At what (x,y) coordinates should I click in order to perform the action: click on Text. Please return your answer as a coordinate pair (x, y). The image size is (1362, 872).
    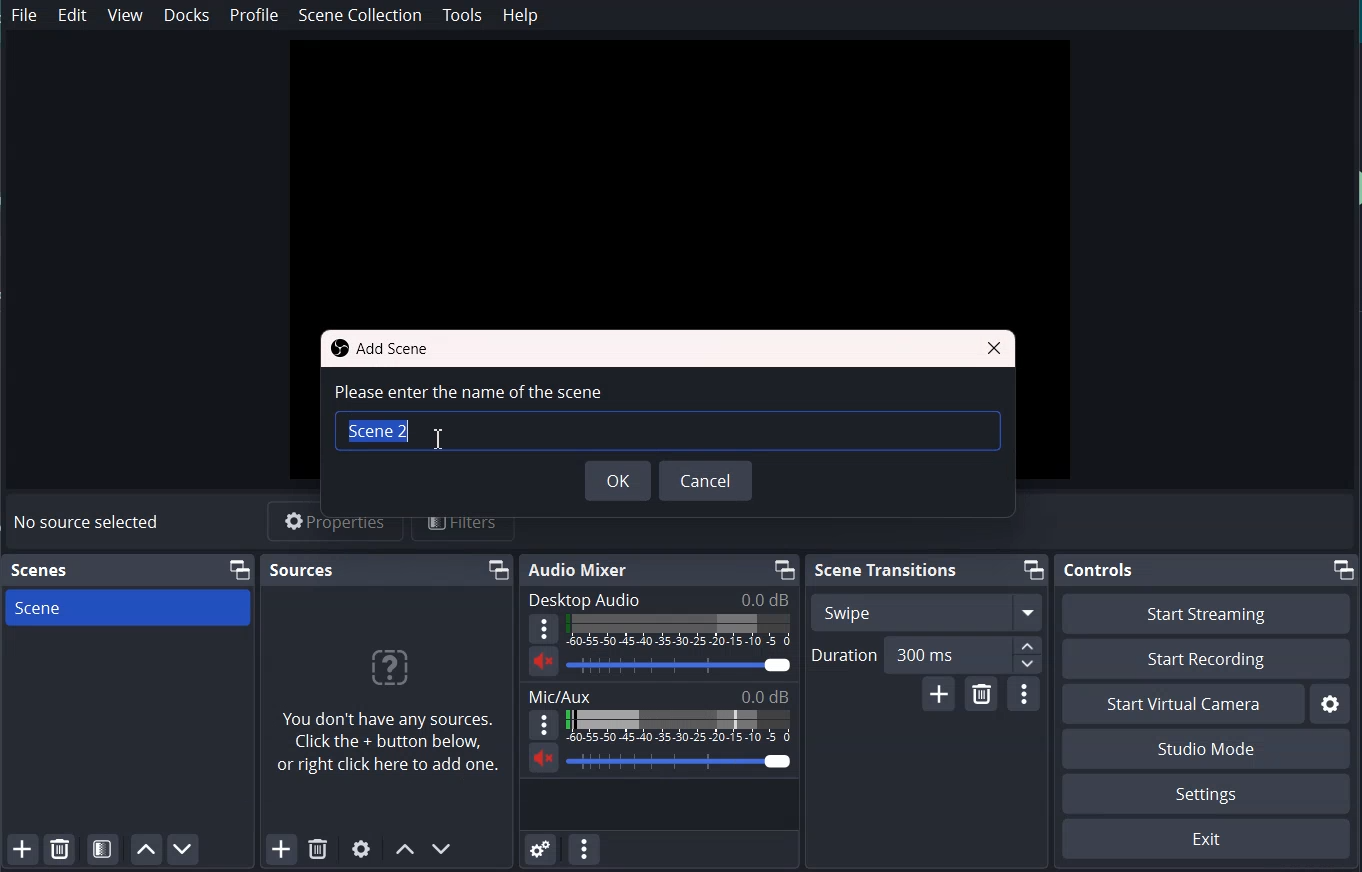
    Looking at the image, I should click on (468, 391).